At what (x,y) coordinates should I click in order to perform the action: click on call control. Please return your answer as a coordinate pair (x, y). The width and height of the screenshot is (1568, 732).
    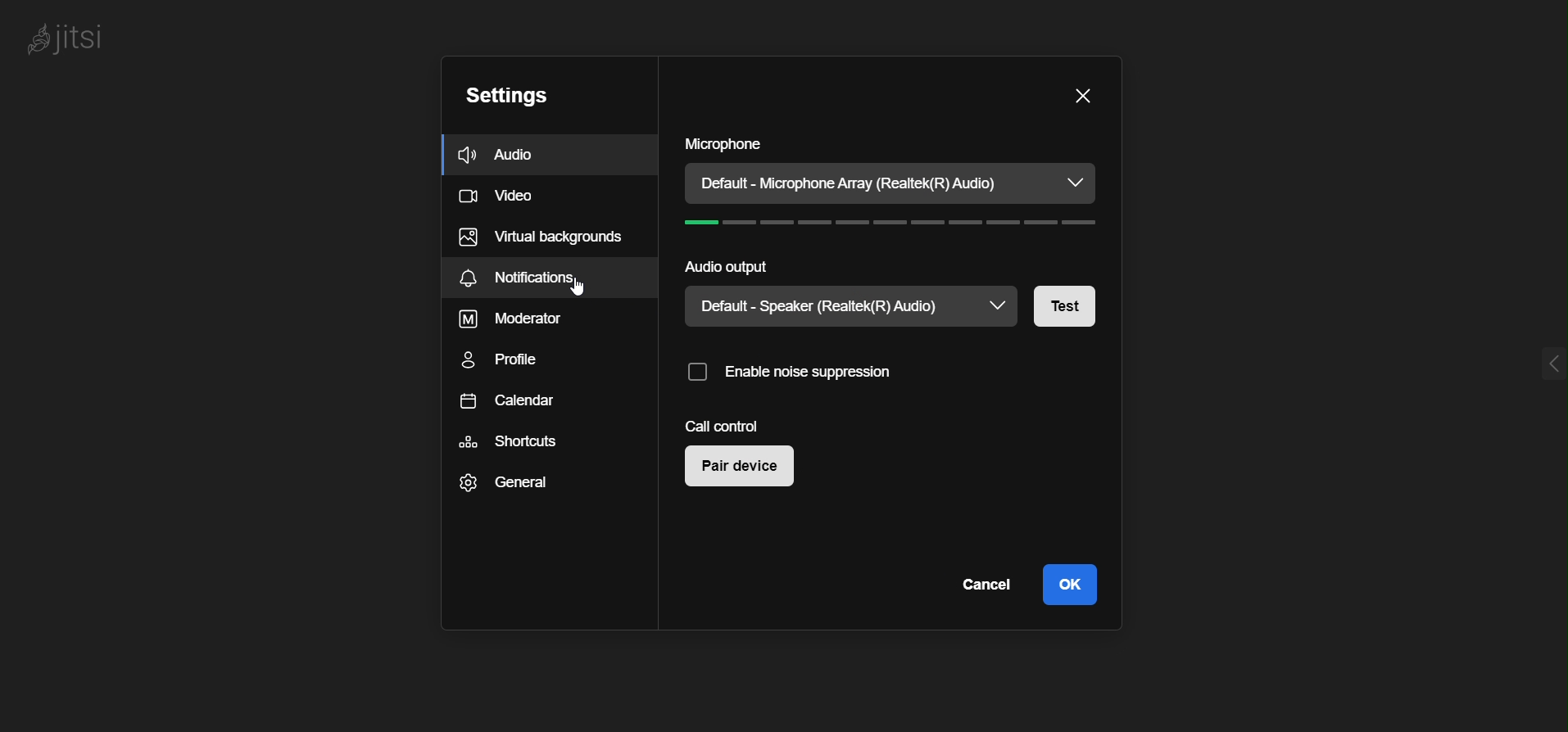
    Looking at the image, I should click on (727, 423).